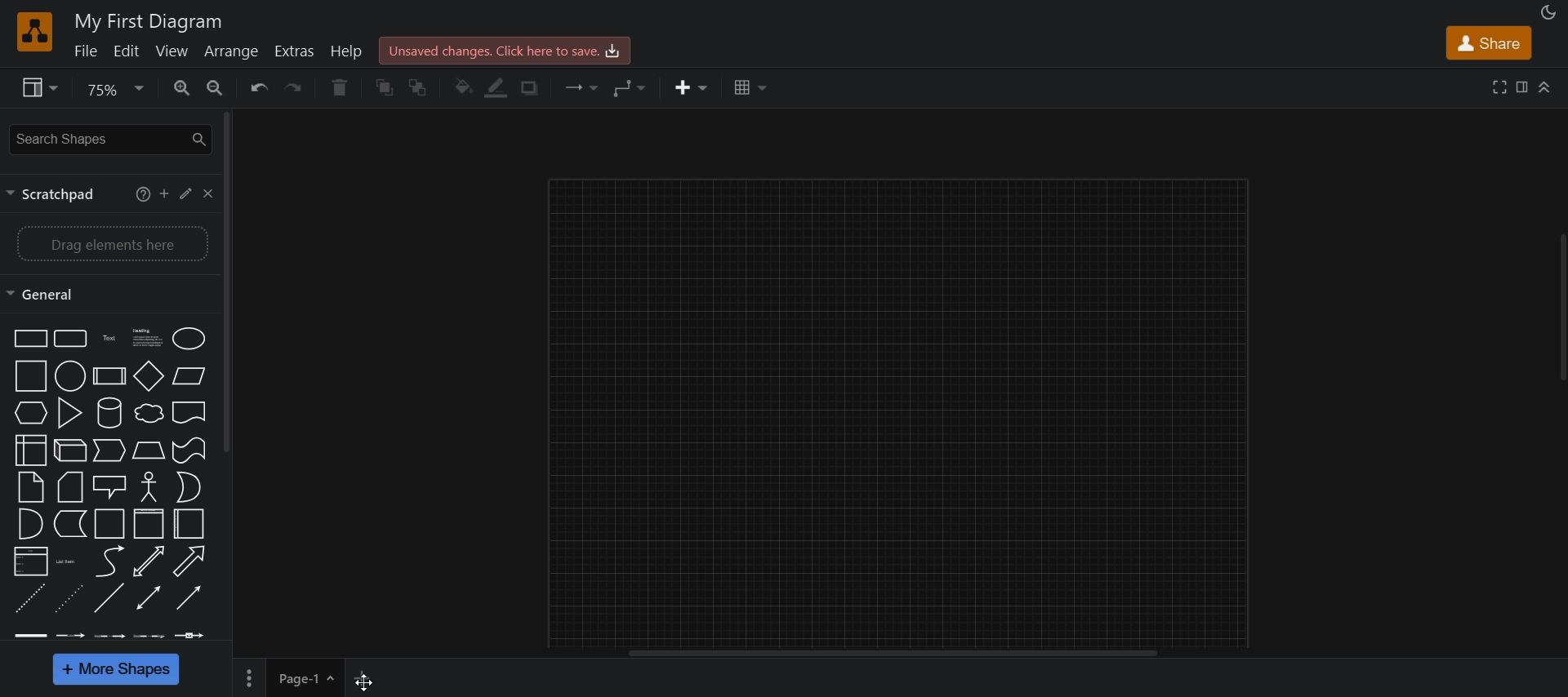  I want to click on file, so click(86, 52).